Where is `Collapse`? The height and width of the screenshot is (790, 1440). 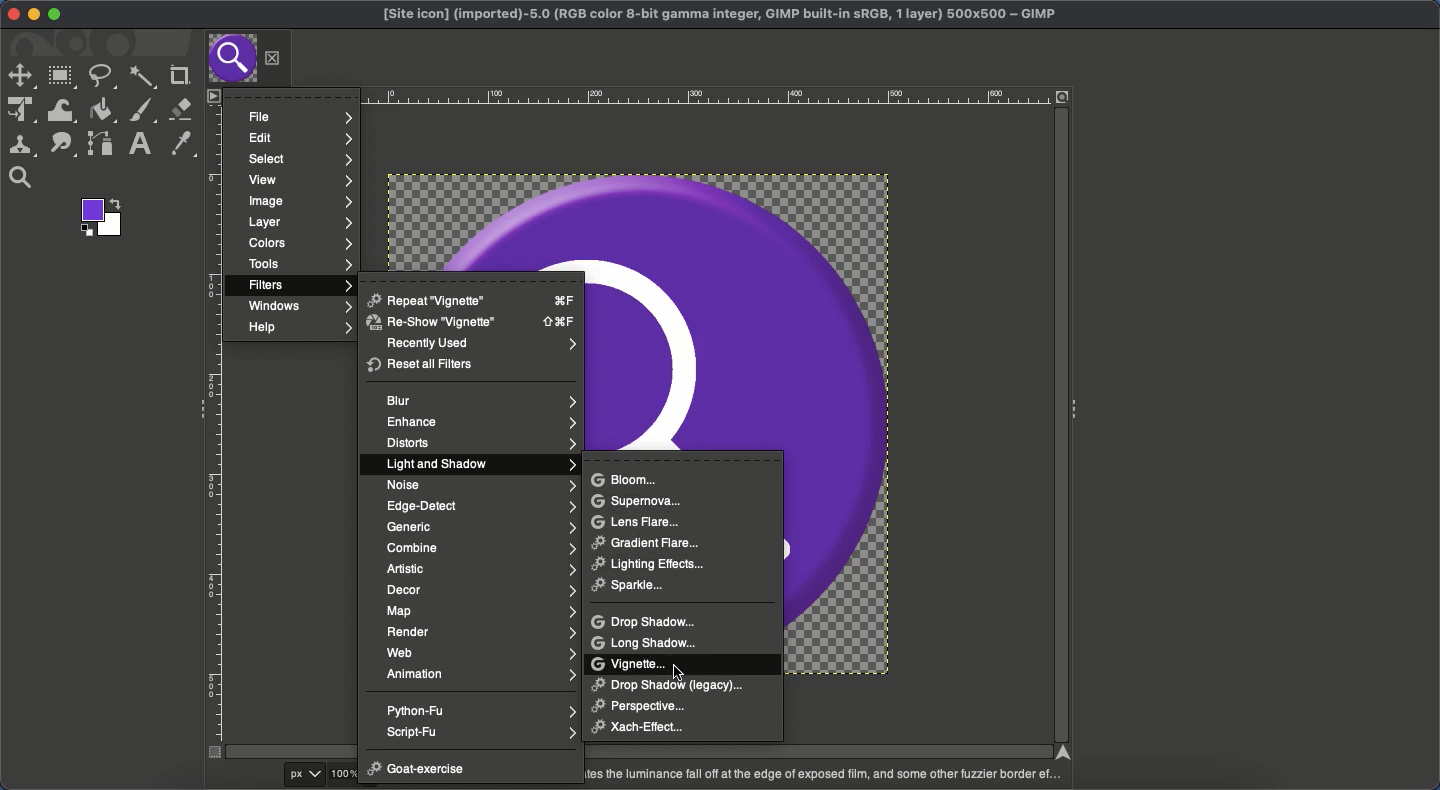 Collapse is located at coordinates (1077, 406).